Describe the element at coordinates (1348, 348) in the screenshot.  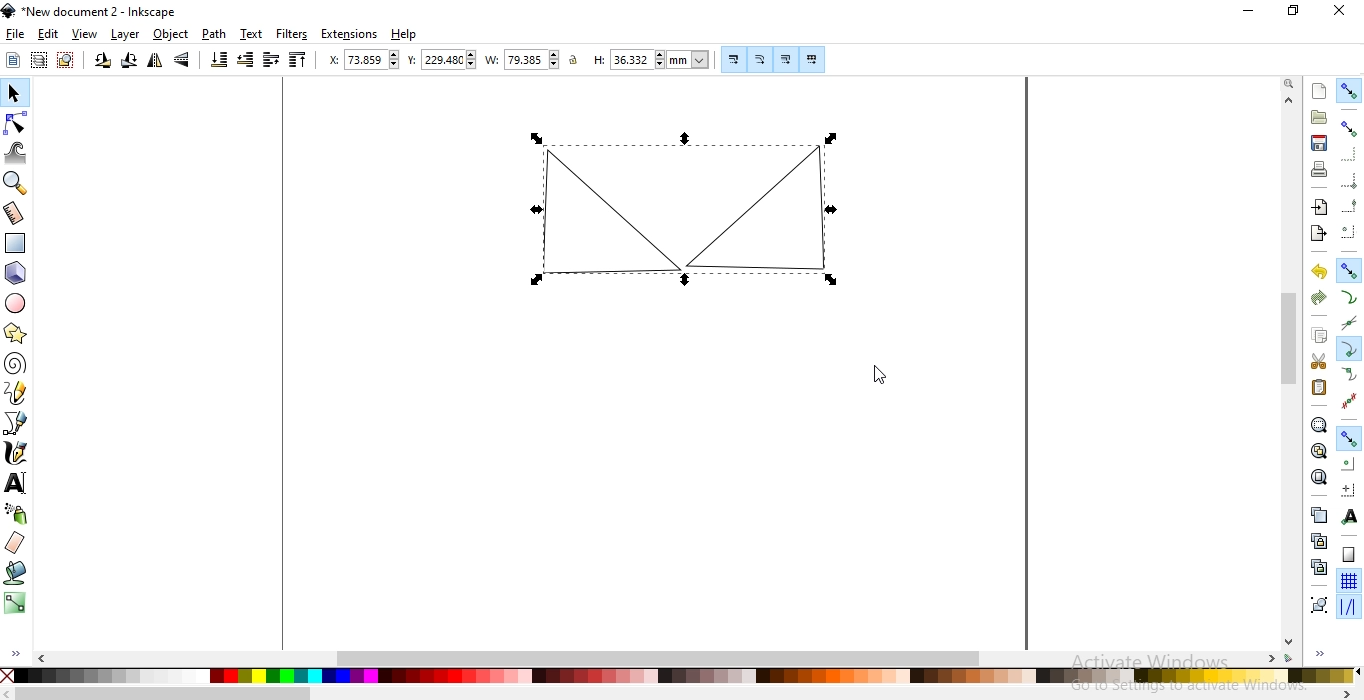
I see `snap cusp nodes incl. rectangle corners` at that location.